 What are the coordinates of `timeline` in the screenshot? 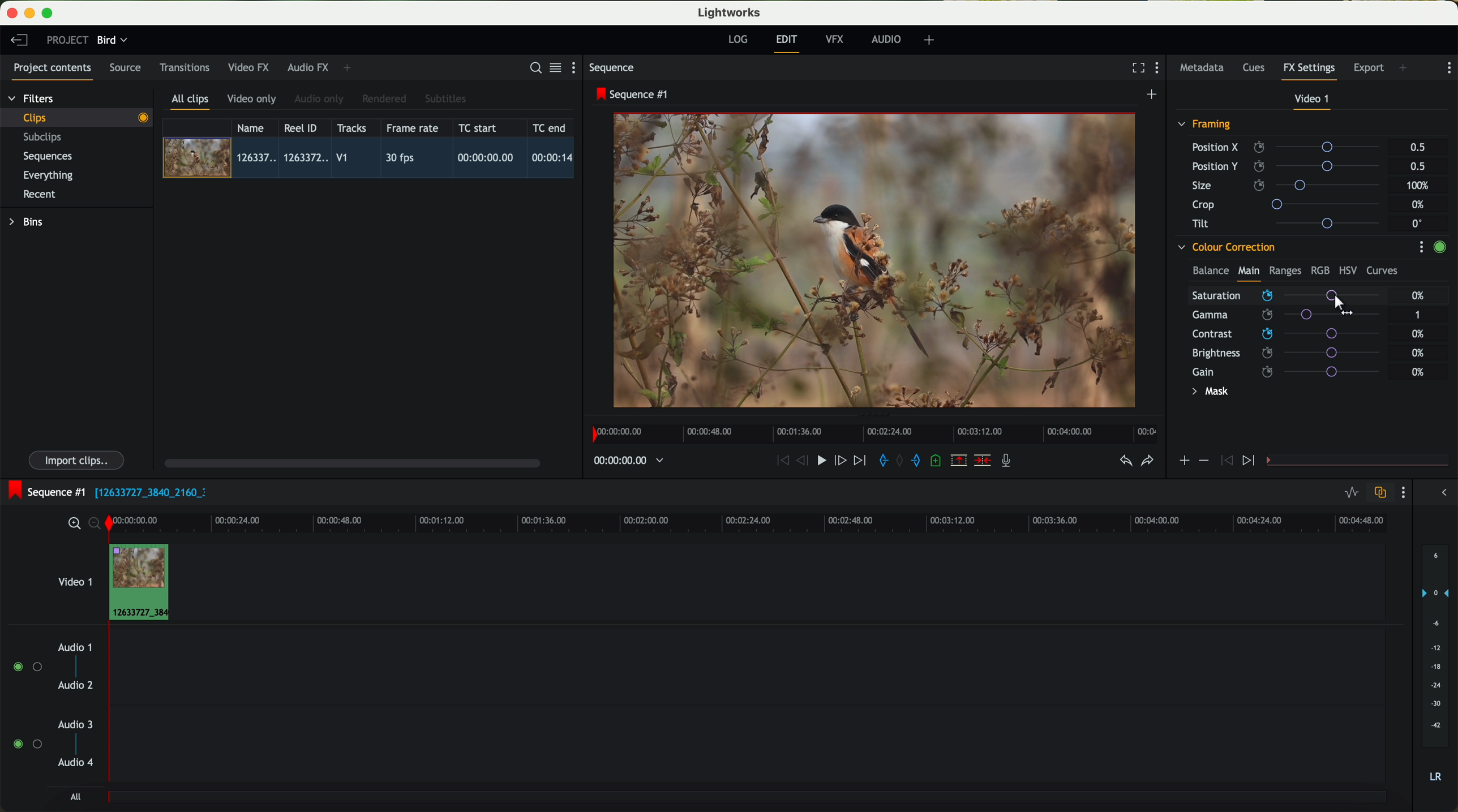 It's located at (871, 431).